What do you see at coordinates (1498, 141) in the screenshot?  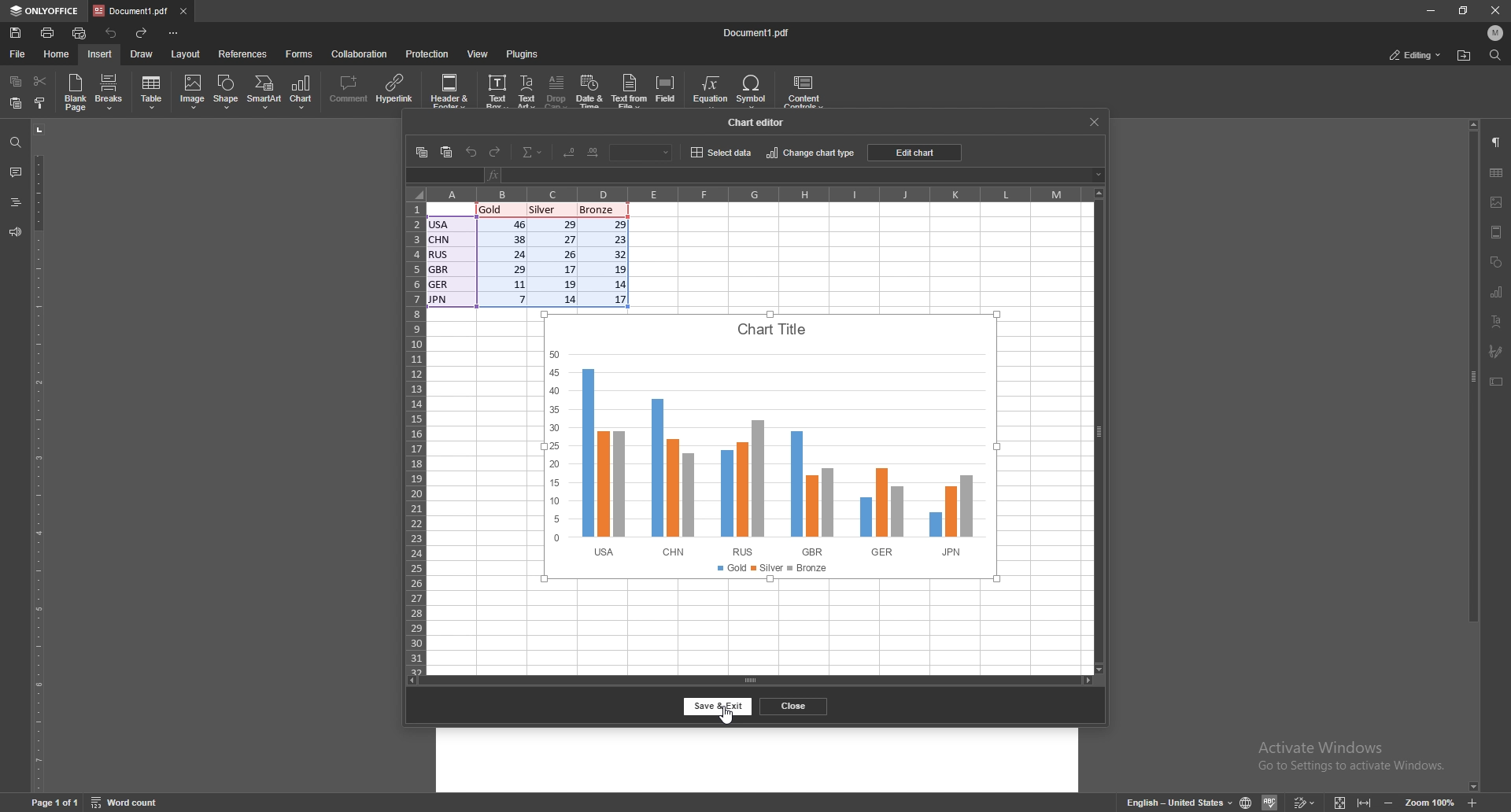 I see `paragraph` at bounding box center [1498, 141].